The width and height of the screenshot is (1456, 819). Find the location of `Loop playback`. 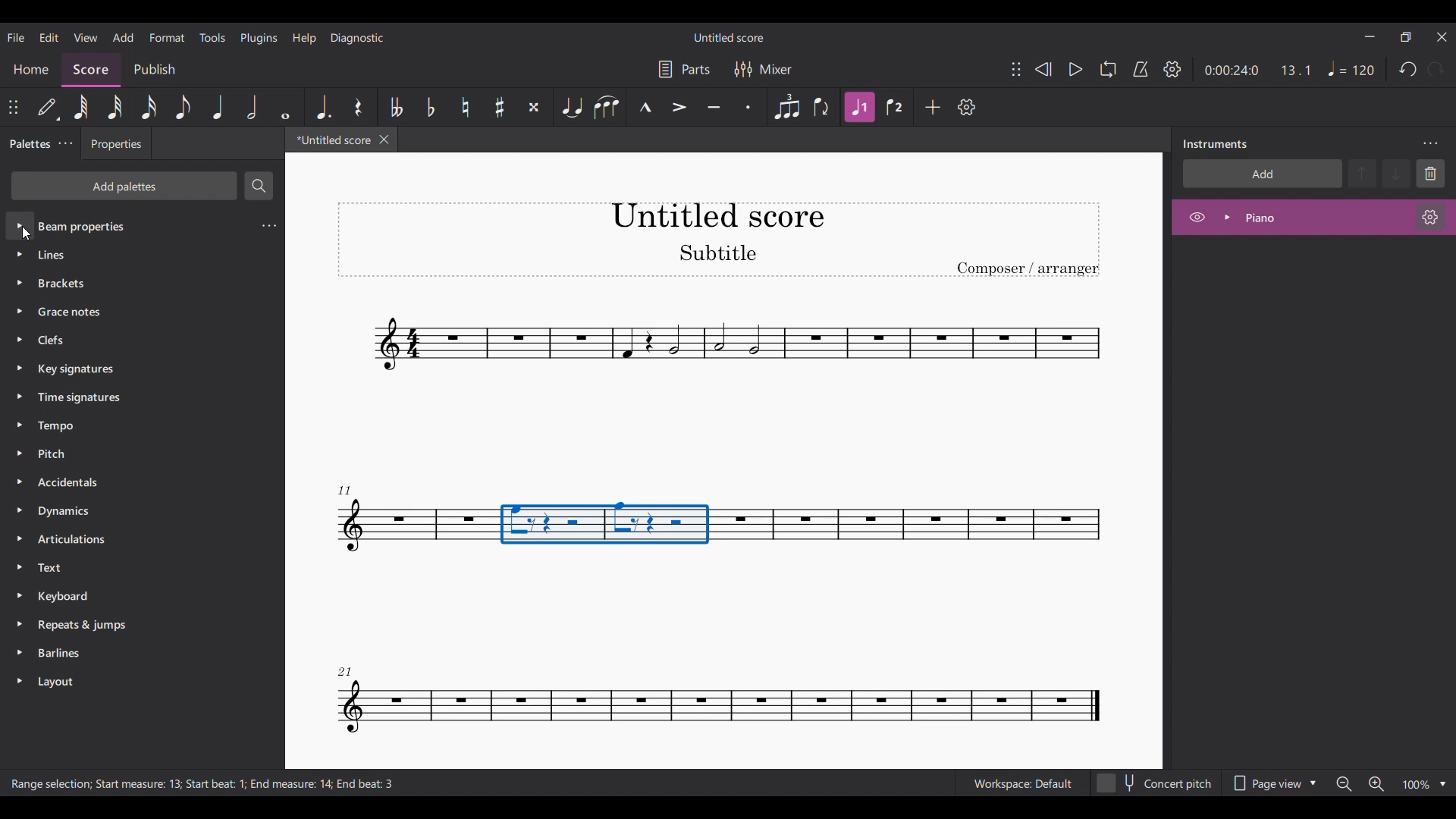

Loop playback is located at coordinates (1108, 69).